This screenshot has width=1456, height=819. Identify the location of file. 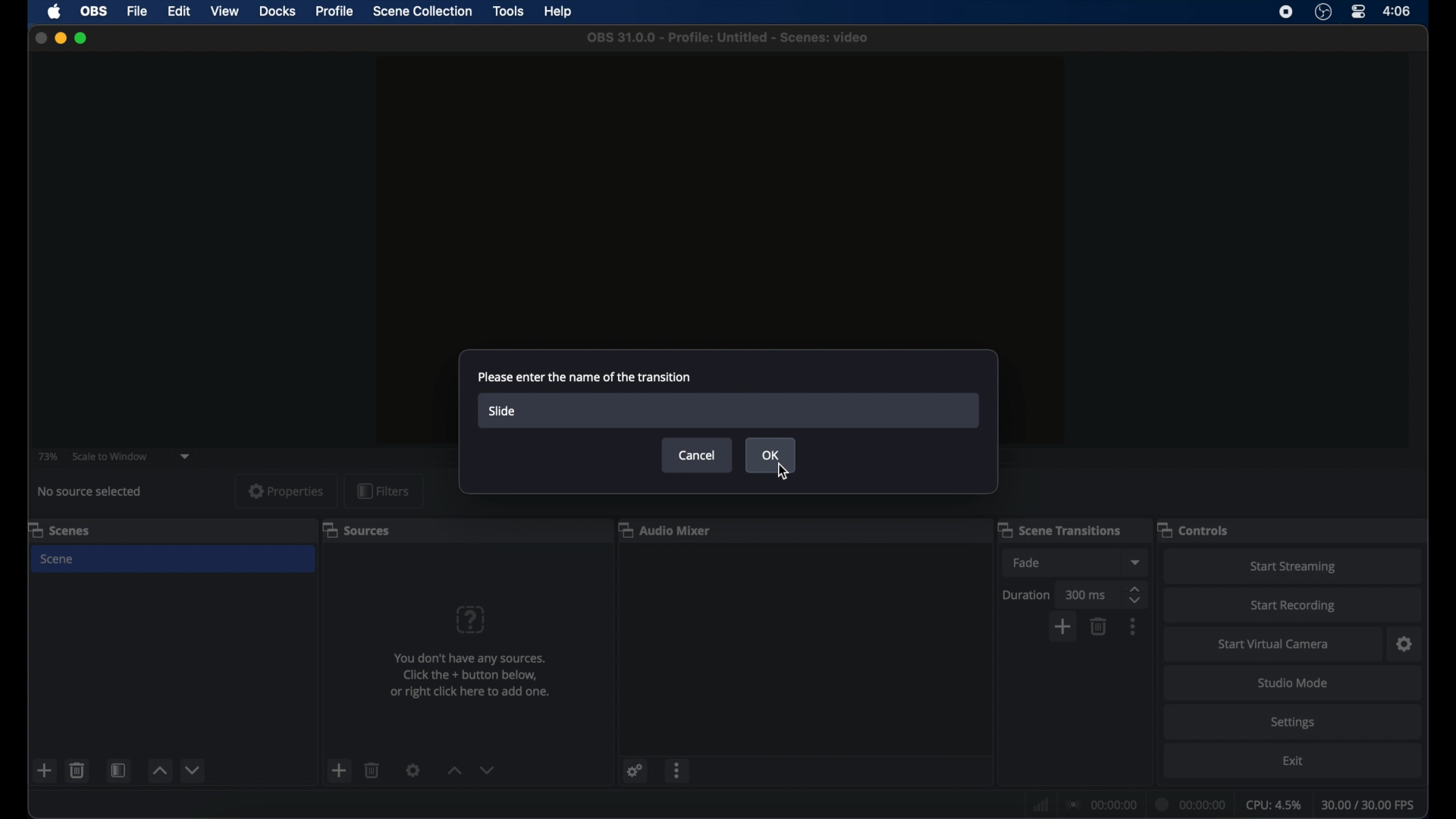
(137, 11).